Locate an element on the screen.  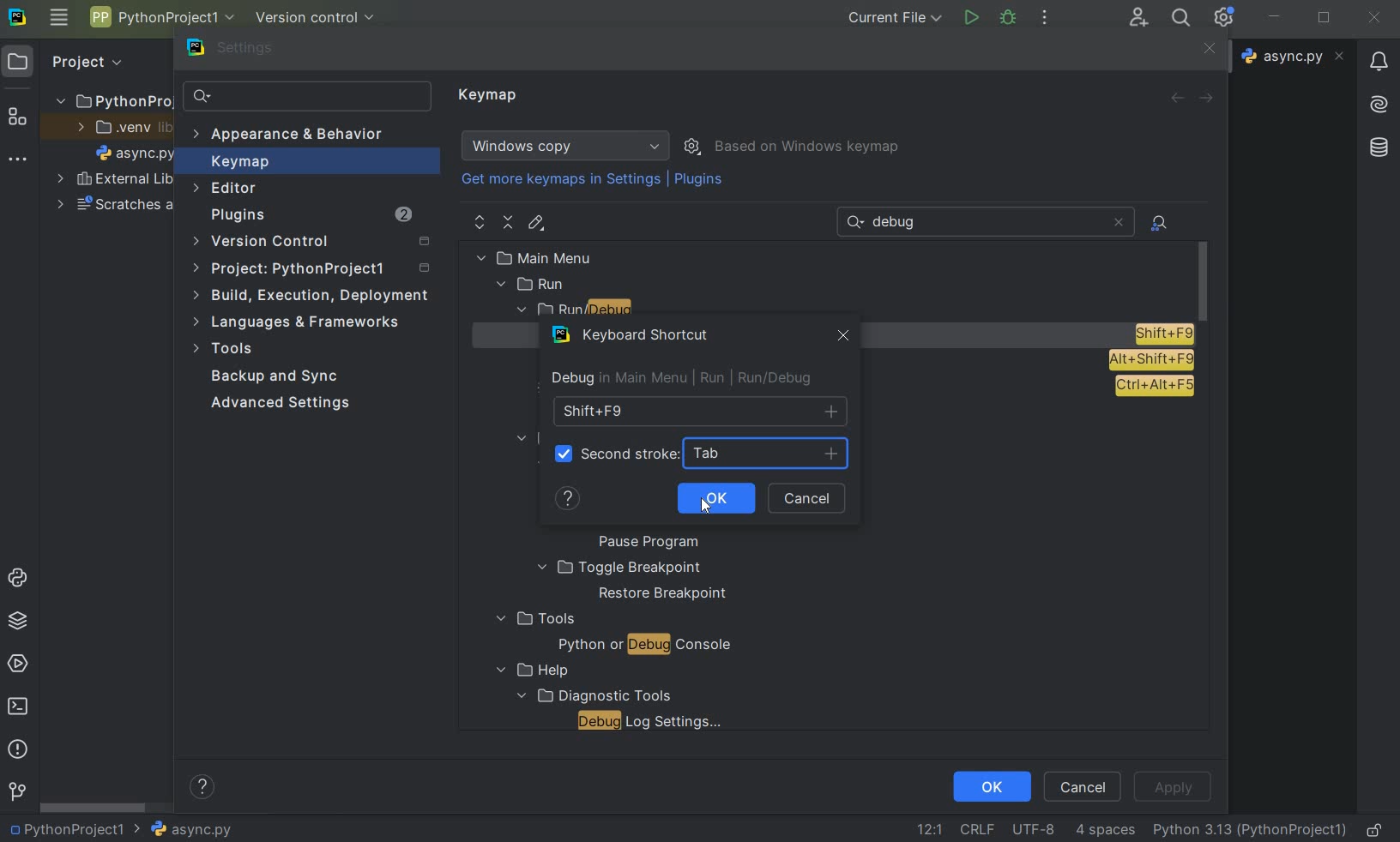
Notifications is located at coordinates (1377, 56).